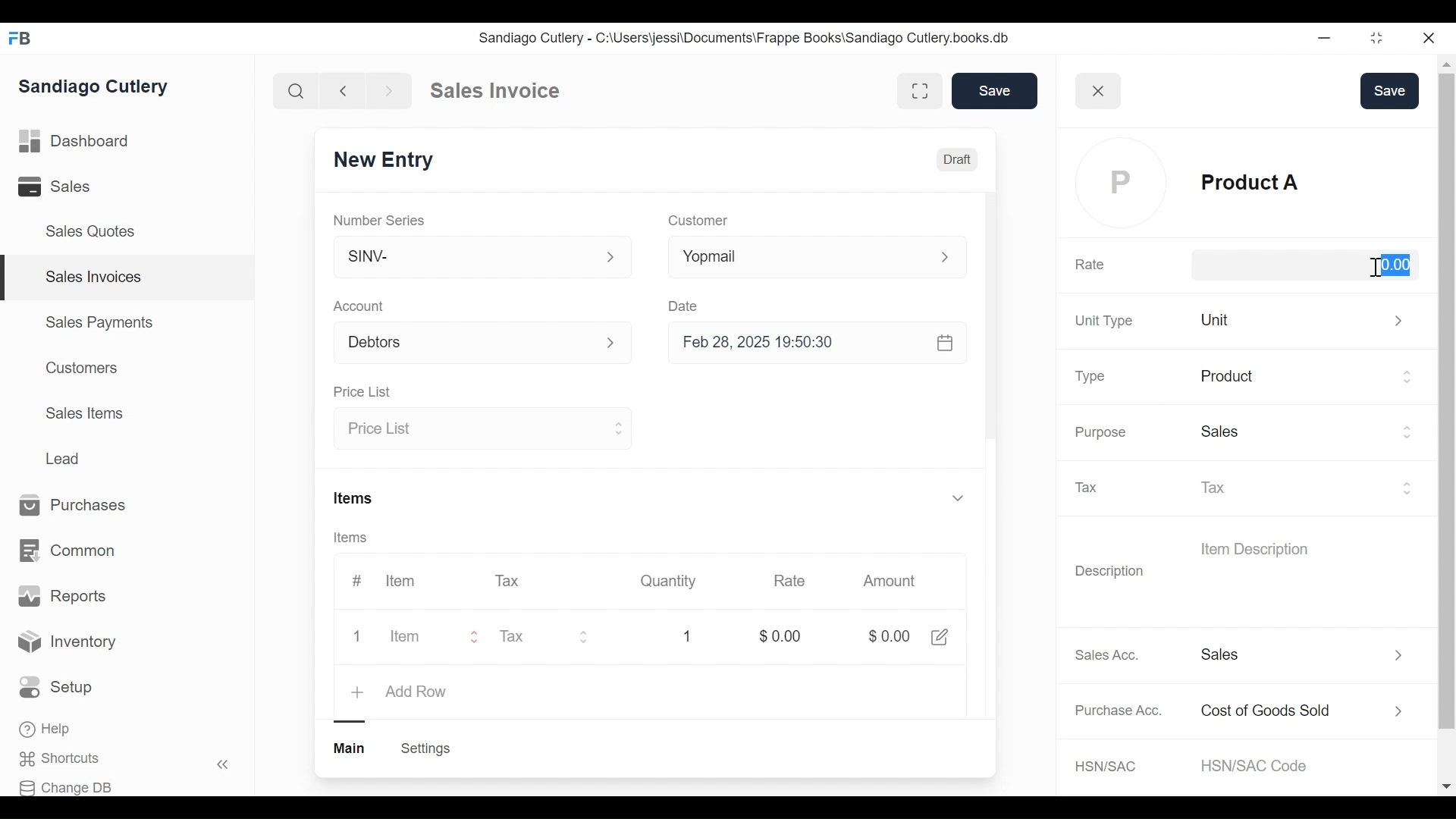  Describe the element at coordinates (351, 536) in the screenshot. I see `Items` at that location.